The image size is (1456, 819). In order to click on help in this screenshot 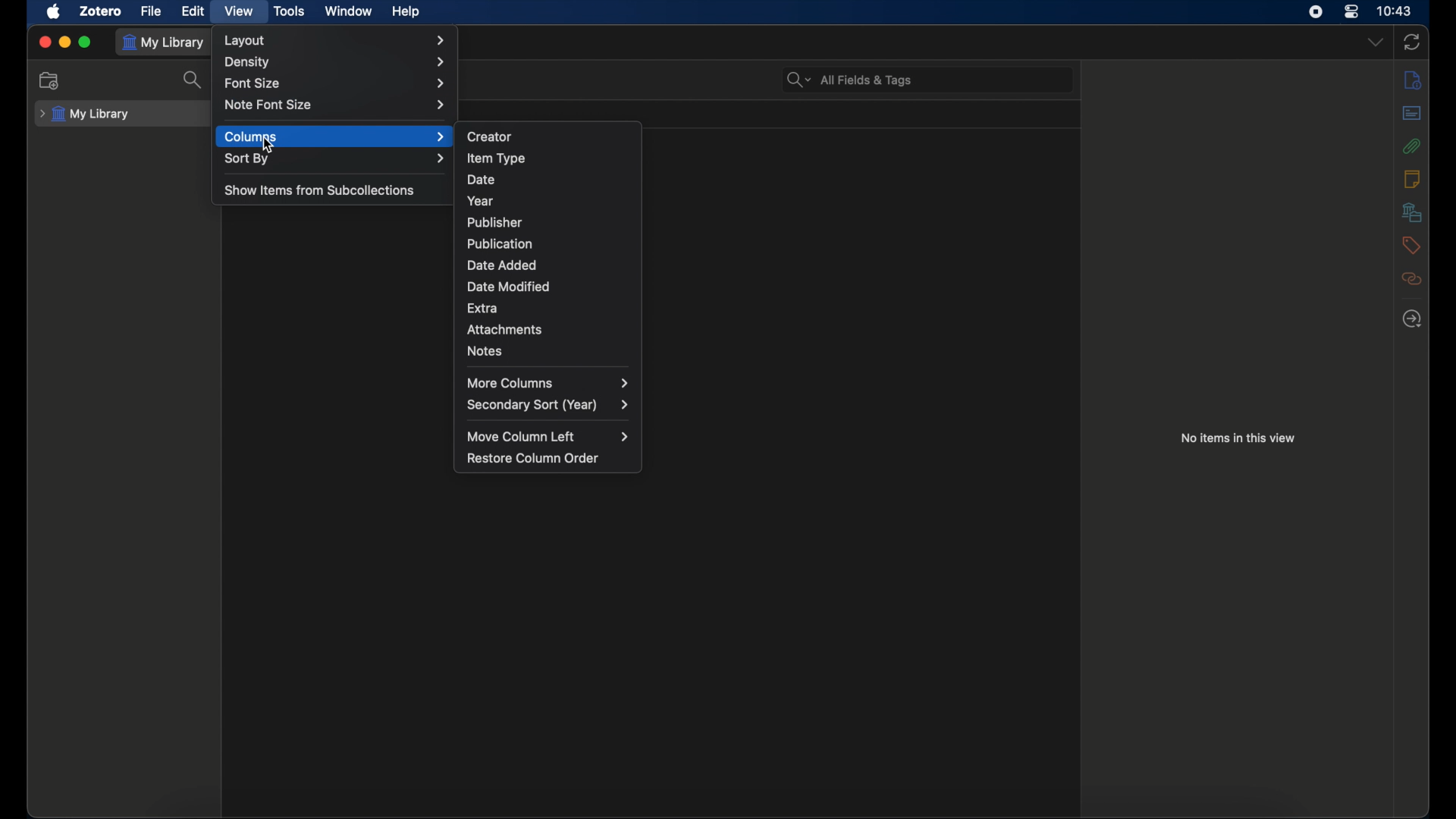, I will do `click(406, 11)`.